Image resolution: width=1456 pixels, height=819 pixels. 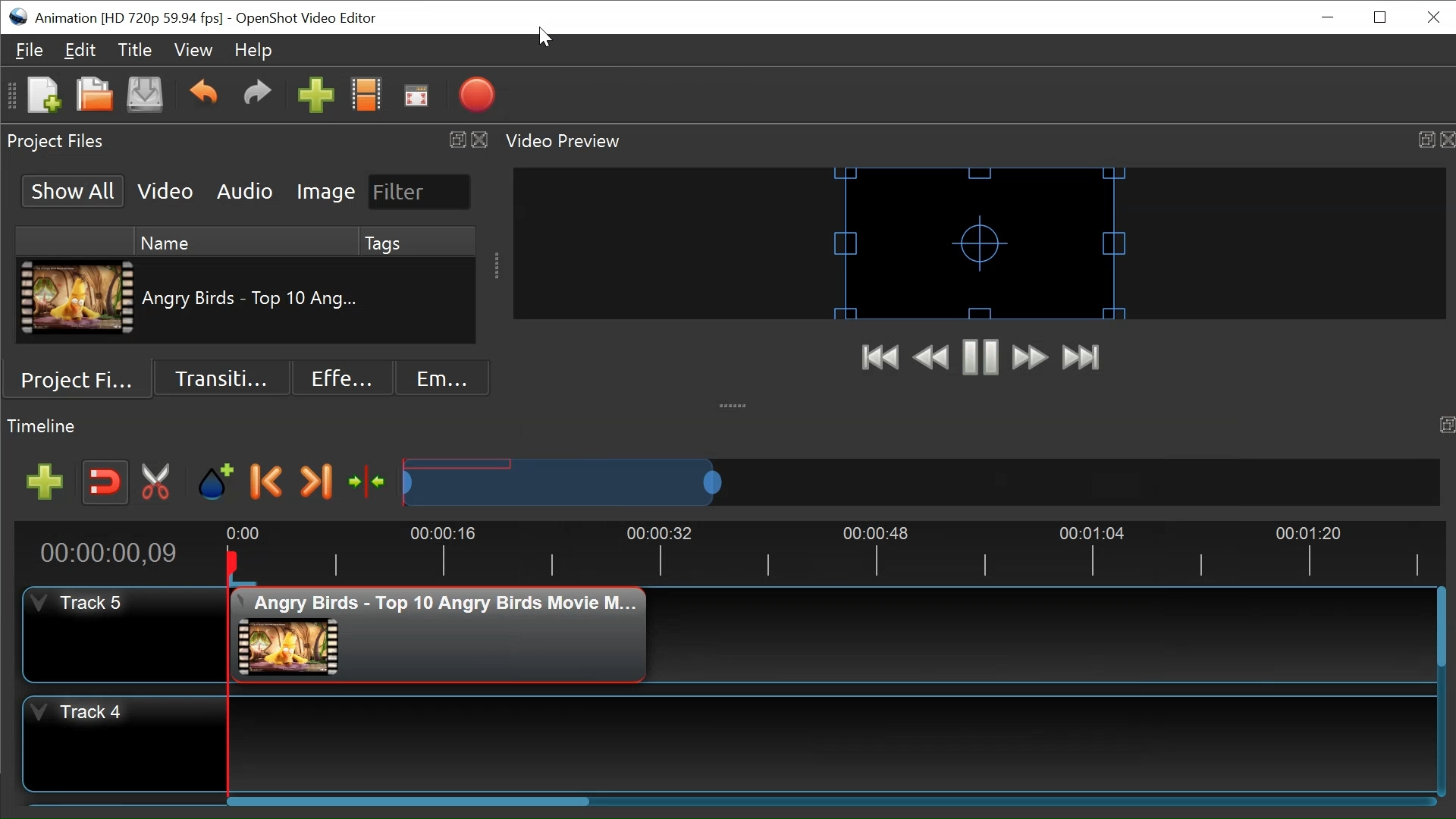 I want to click on Show All, so click(x=75, y=192).